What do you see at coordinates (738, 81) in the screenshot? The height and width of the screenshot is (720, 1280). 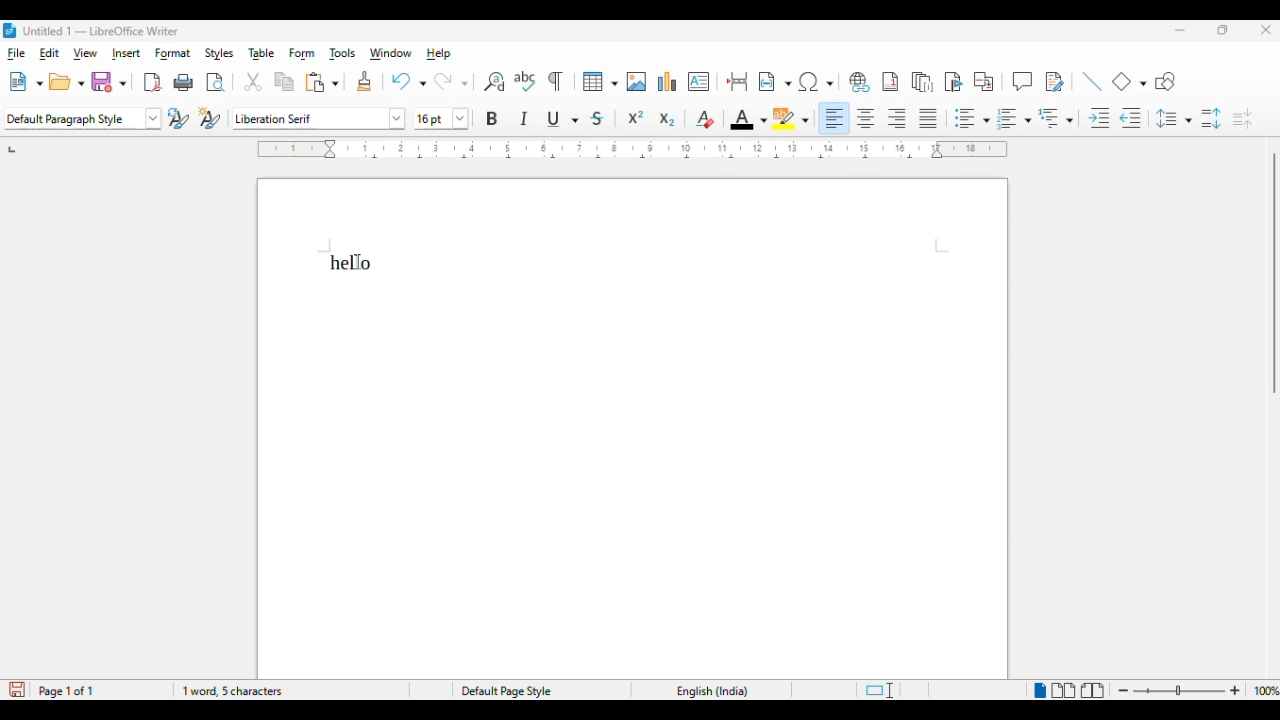 I see `insert page break` at bounding box center [738, 81].